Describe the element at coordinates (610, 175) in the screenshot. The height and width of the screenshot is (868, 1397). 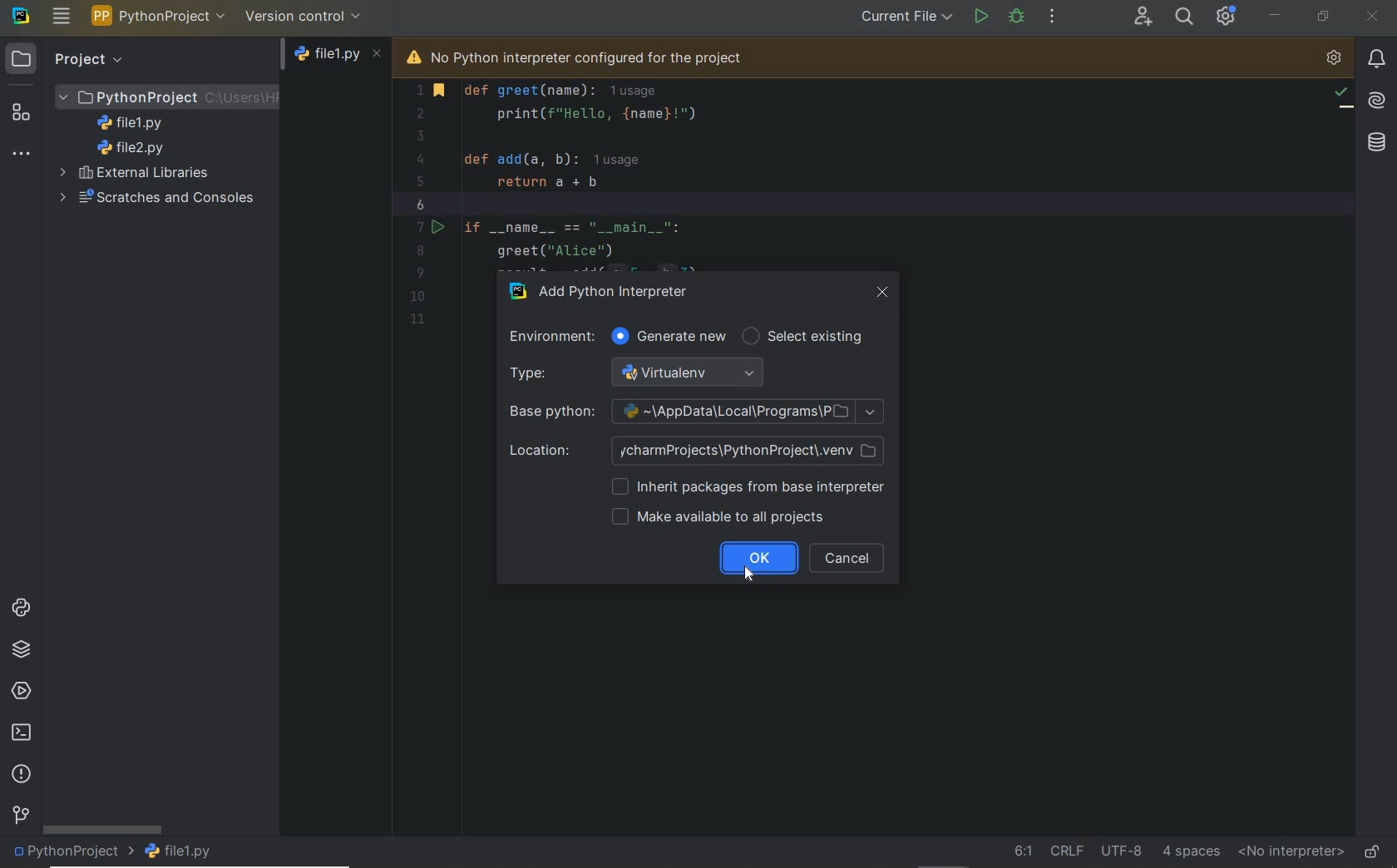
I see `codes` at that location.